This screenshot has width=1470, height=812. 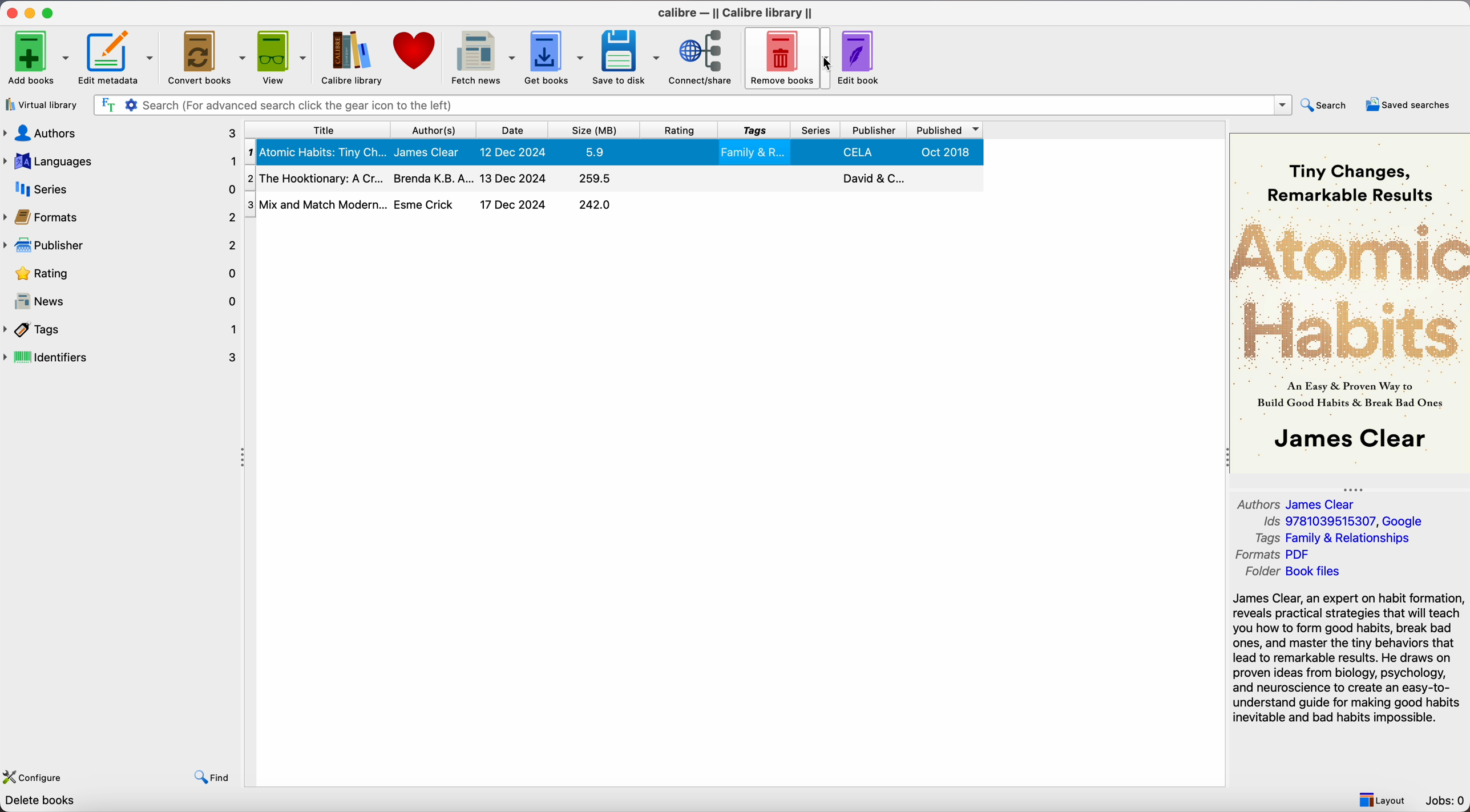 I want to click on 242.0, so click(x=595, y=206).